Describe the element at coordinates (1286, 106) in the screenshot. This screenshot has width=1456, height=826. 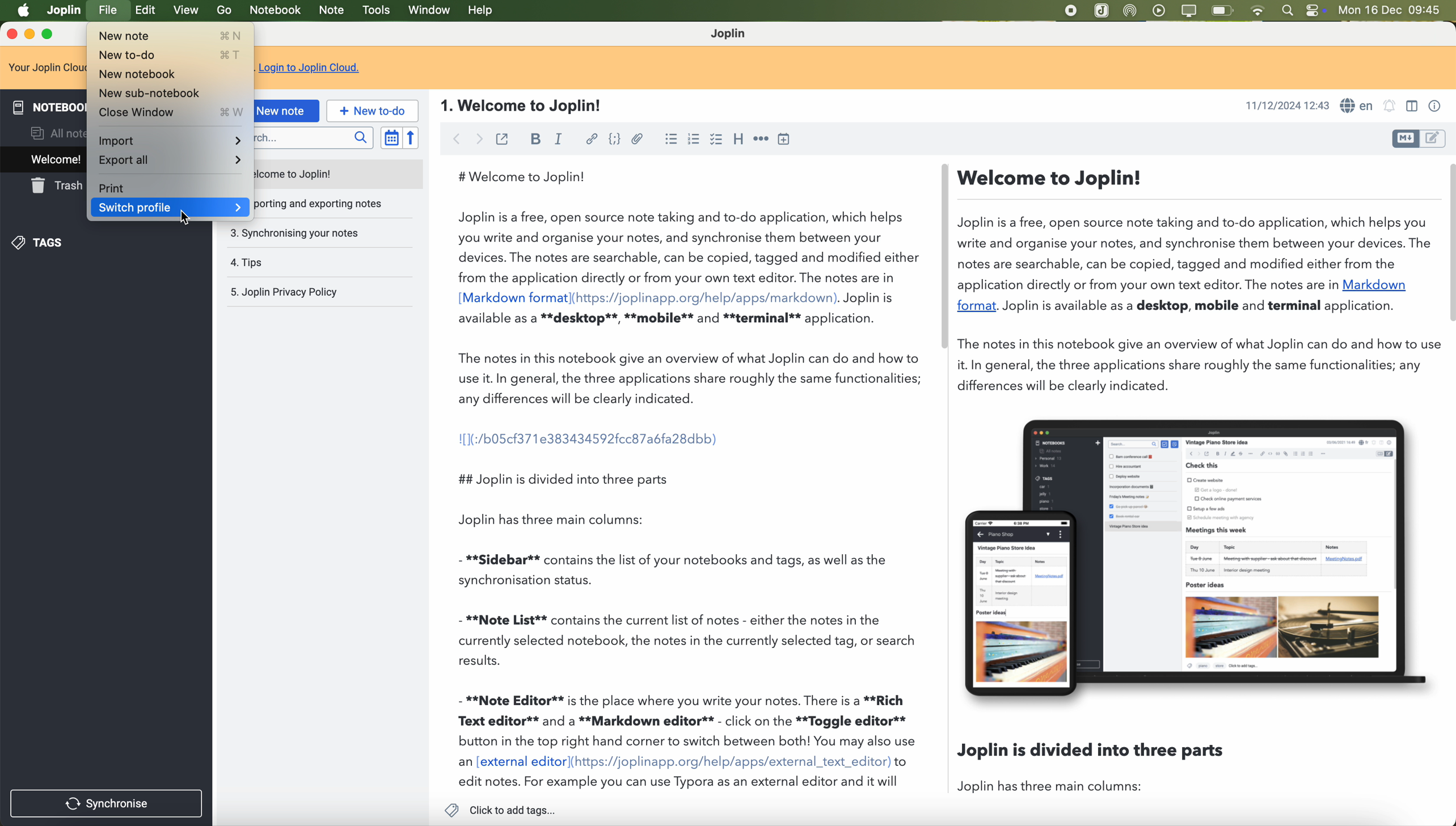
I see `11/12/2024 12:43` at that location.